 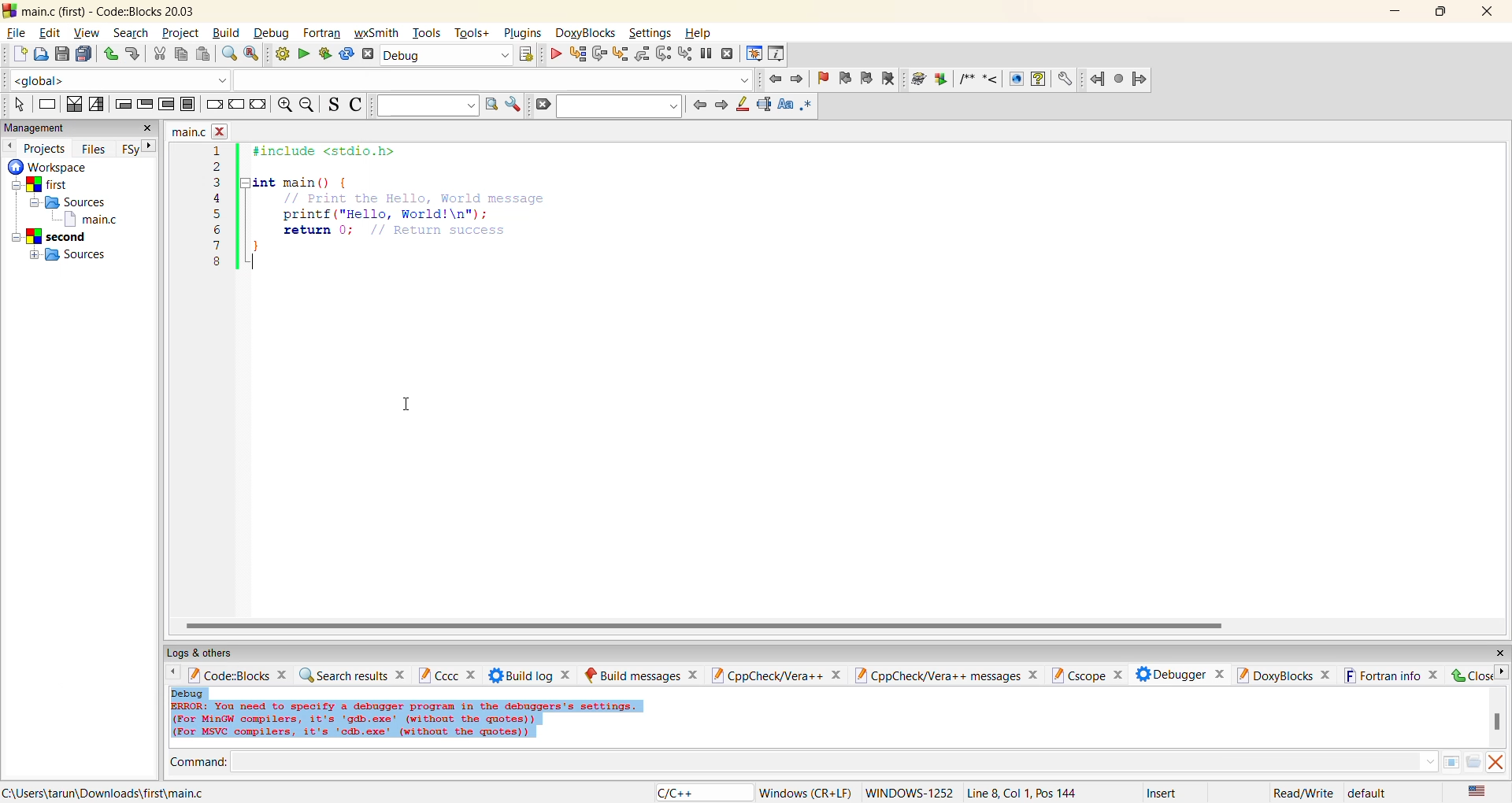 I want to click on debug/continue, so click(x=552, y=54).